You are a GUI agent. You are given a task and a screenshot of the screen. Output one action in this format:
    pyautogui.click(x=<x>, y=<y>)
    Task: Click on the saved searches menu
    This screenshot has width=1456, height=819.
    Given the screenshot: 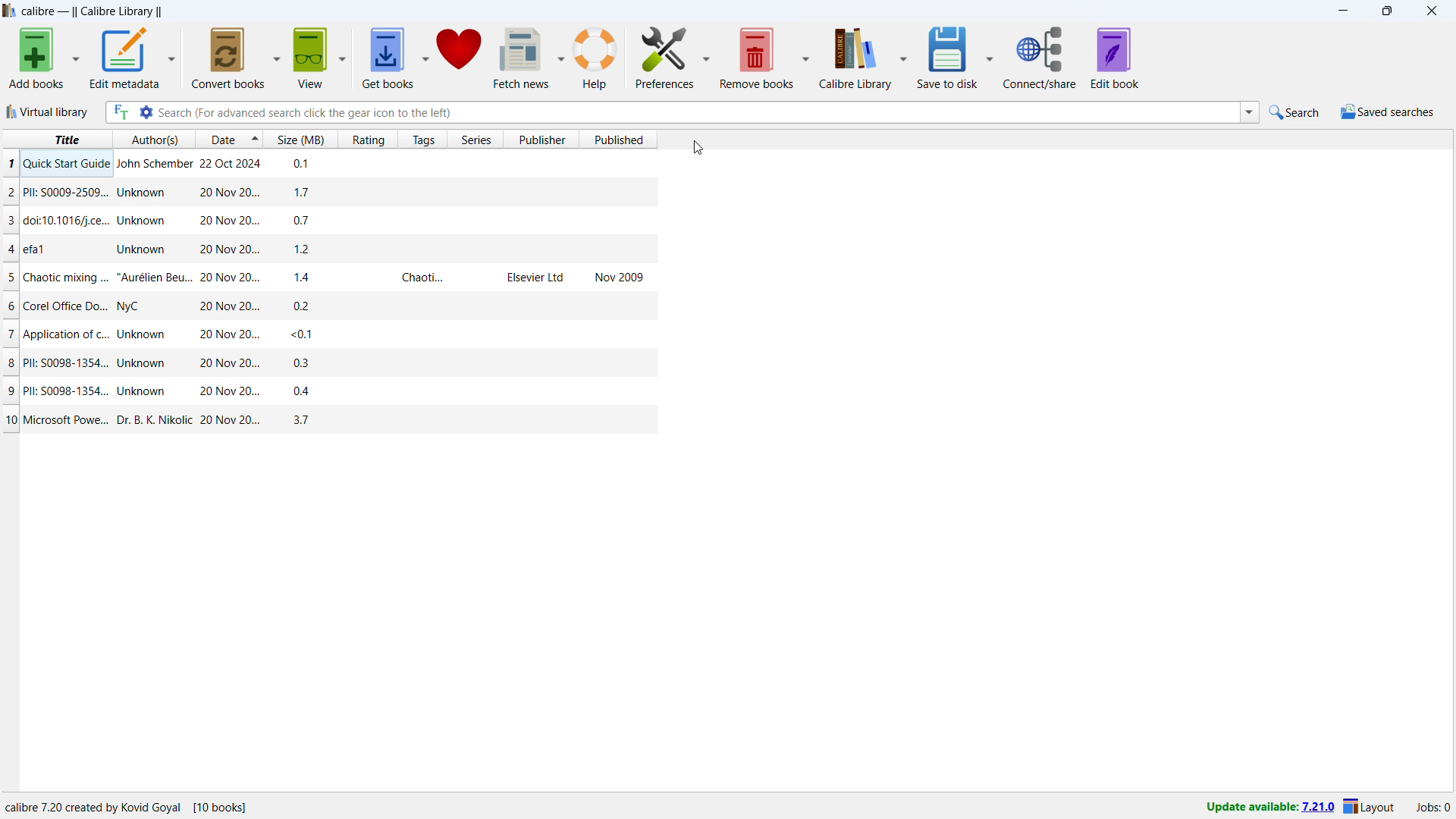 What is the action you would take?
    pyautogui.click(x=1388, y=111)
    